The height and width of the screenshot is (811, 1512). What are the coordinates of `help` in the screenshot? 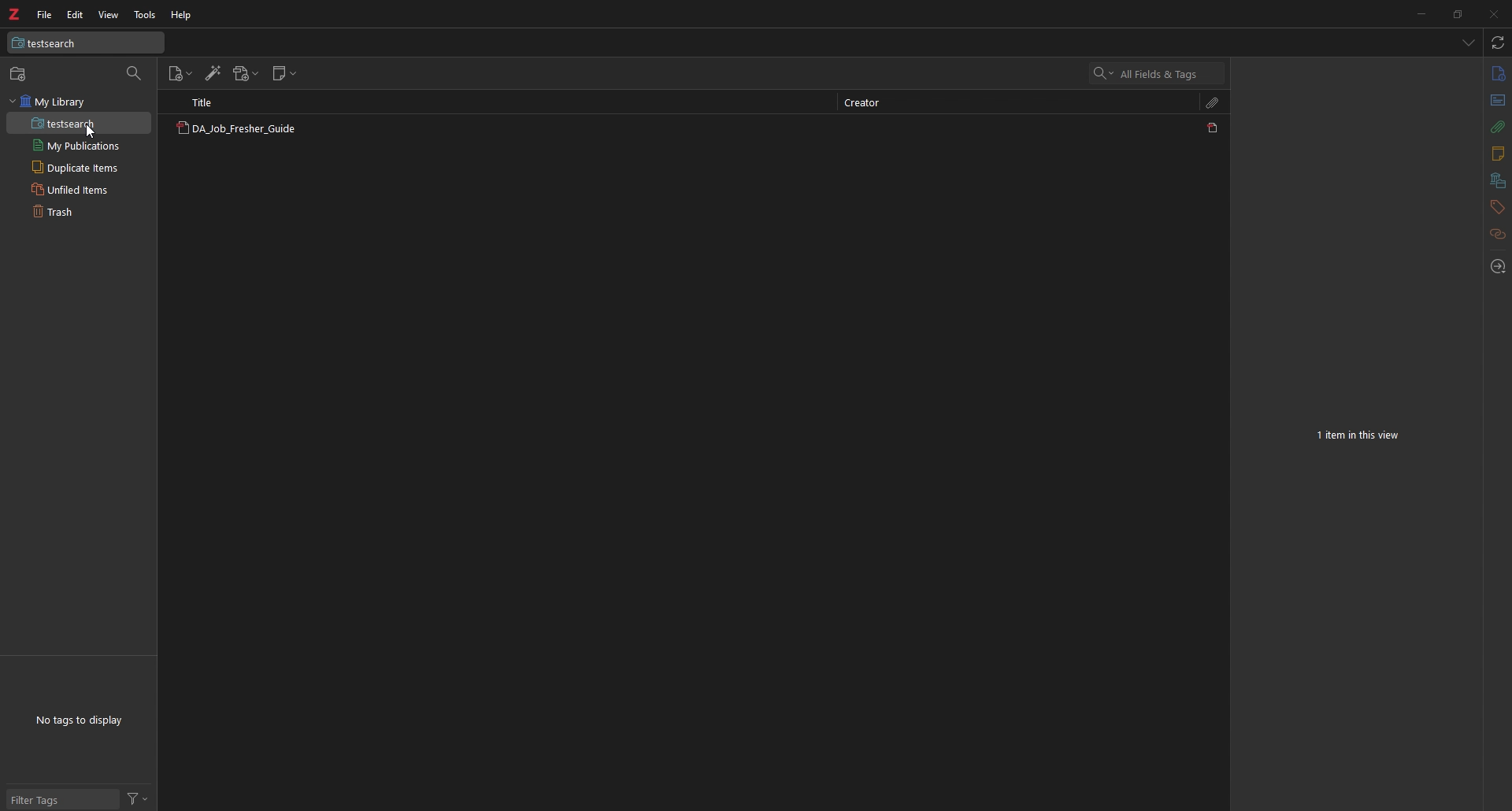 It's located at (182, 16).